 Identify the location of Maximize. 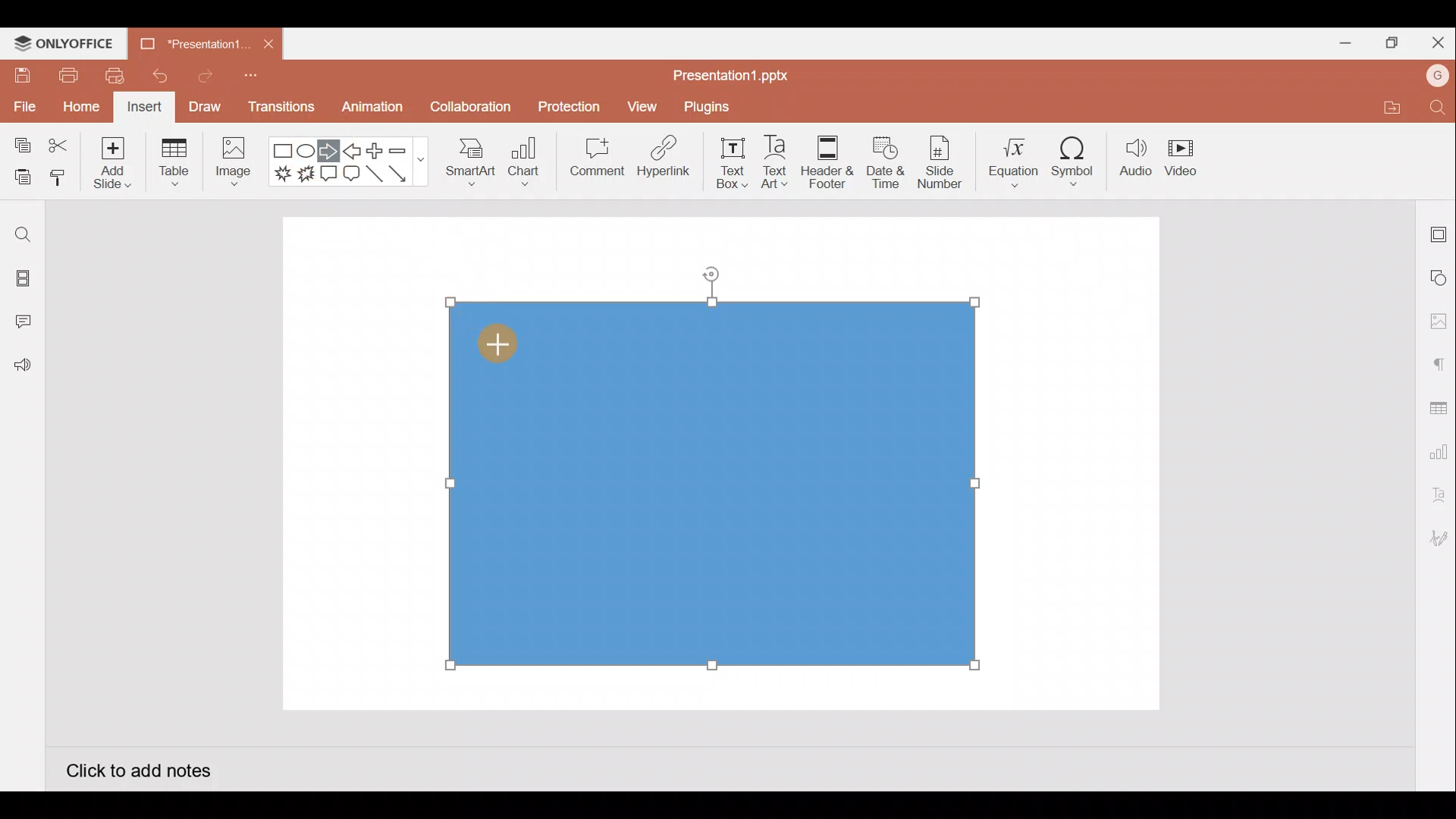
(1388, 43).